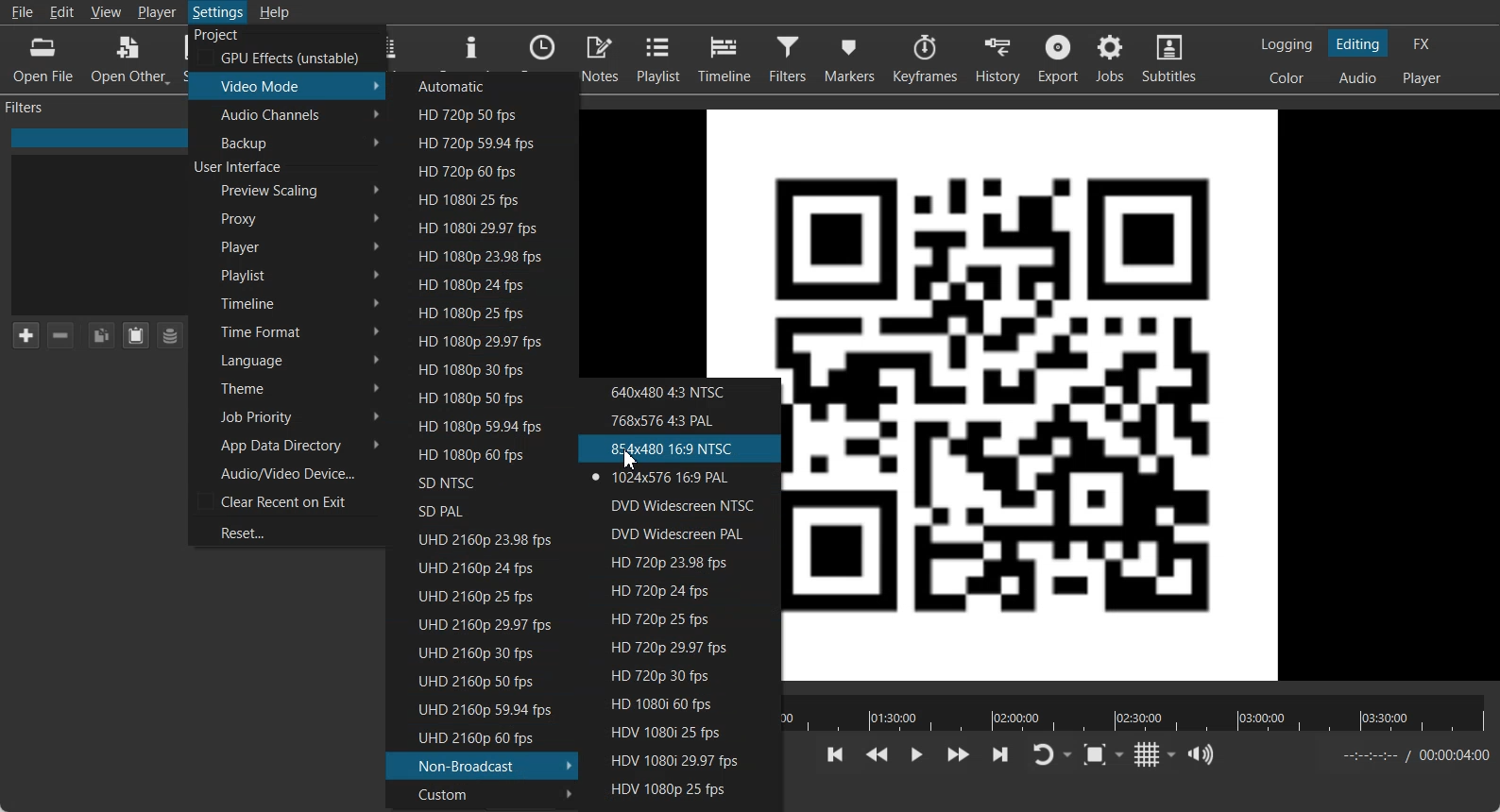 The height and width of the screenshot is (812, 1500). What do you see at coordinates (1424, 43) in the screenshot?
I see `Switch to the effect only layout` at bounding box center [1424, 43].